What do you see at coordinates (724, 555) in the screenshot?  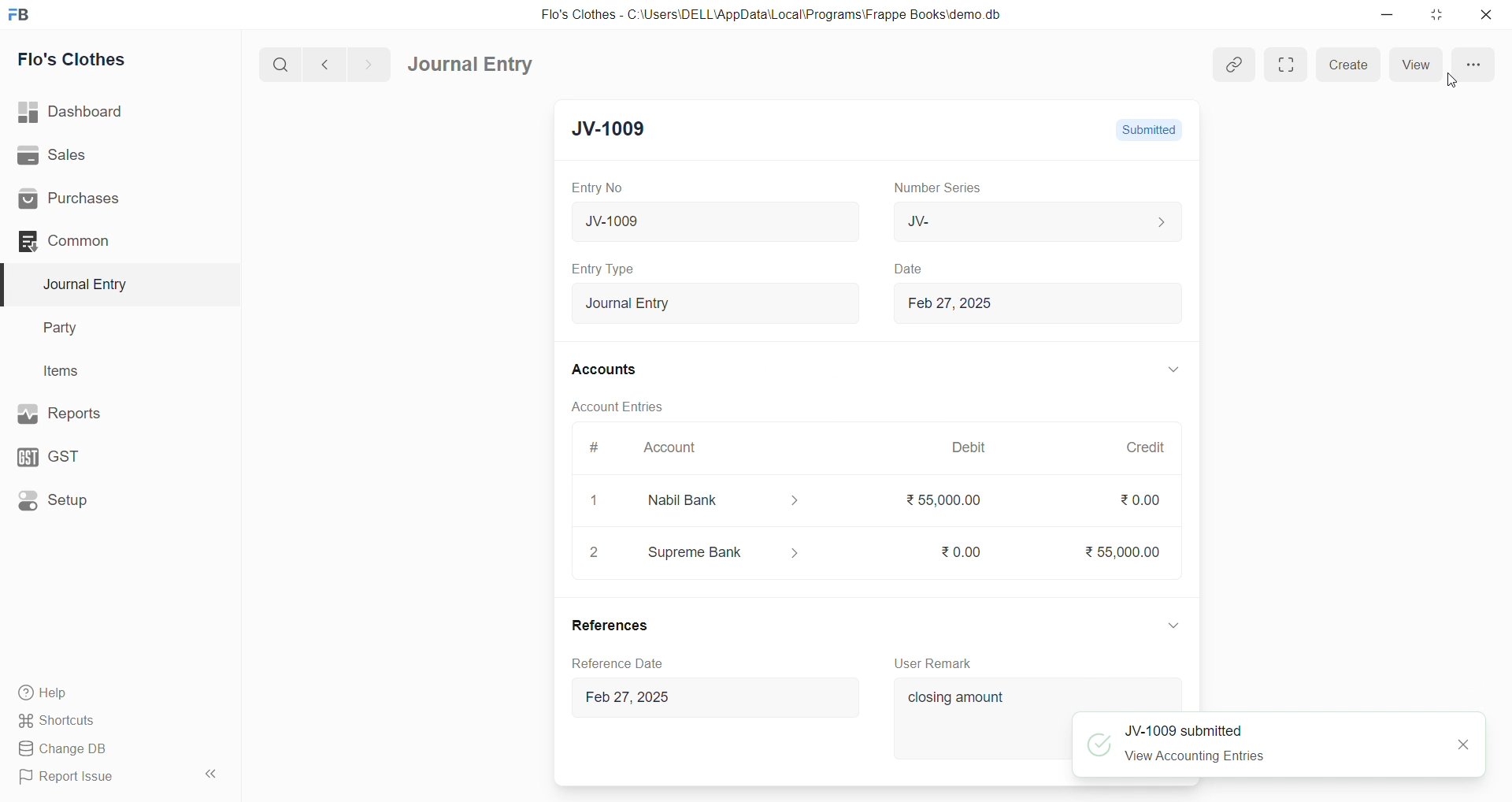 I see `Supreme Bank` at bounding box center [724, 555].